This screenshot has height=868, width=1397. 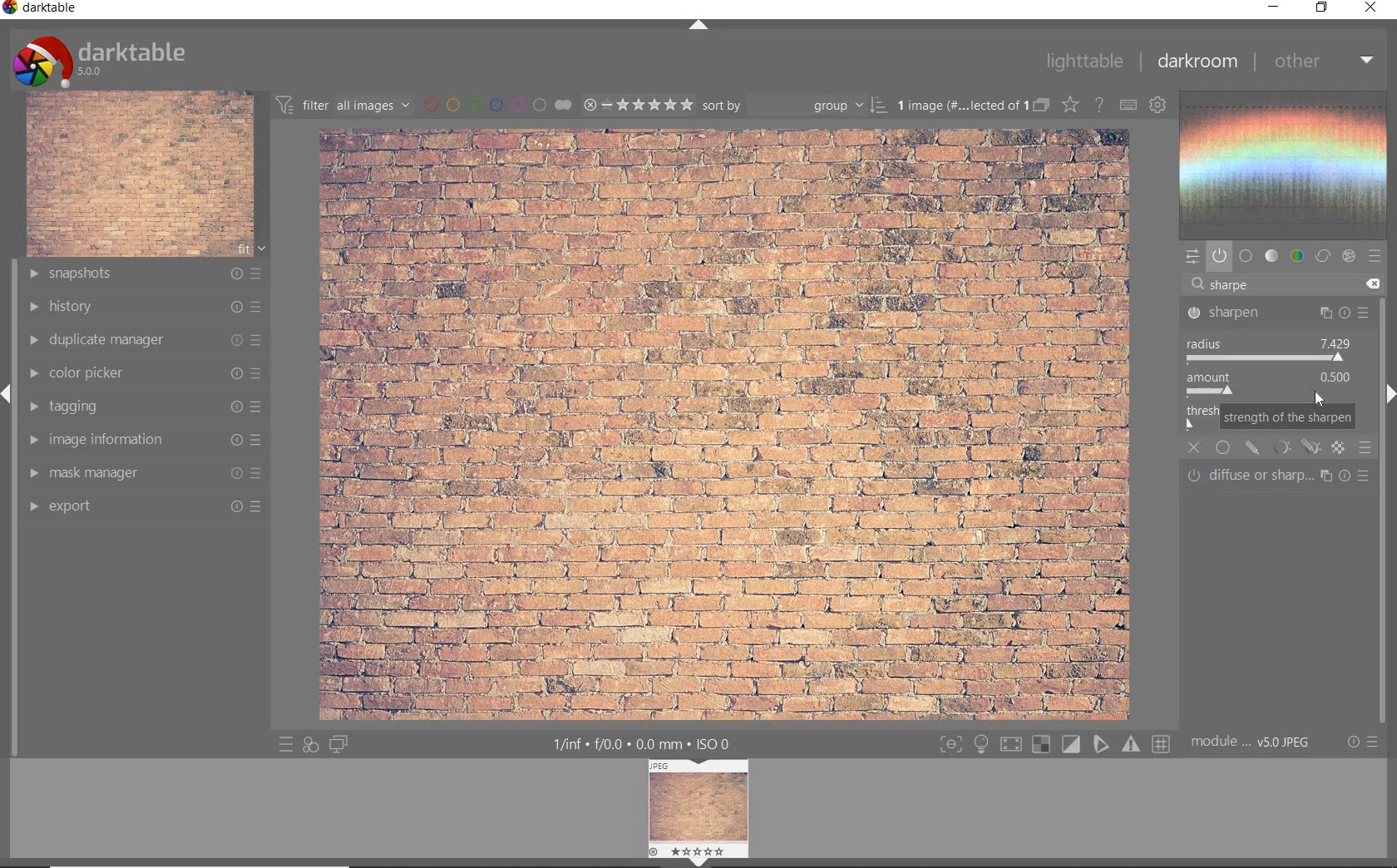 I want to click on change type of overlay, so click(x=1069, y=104).